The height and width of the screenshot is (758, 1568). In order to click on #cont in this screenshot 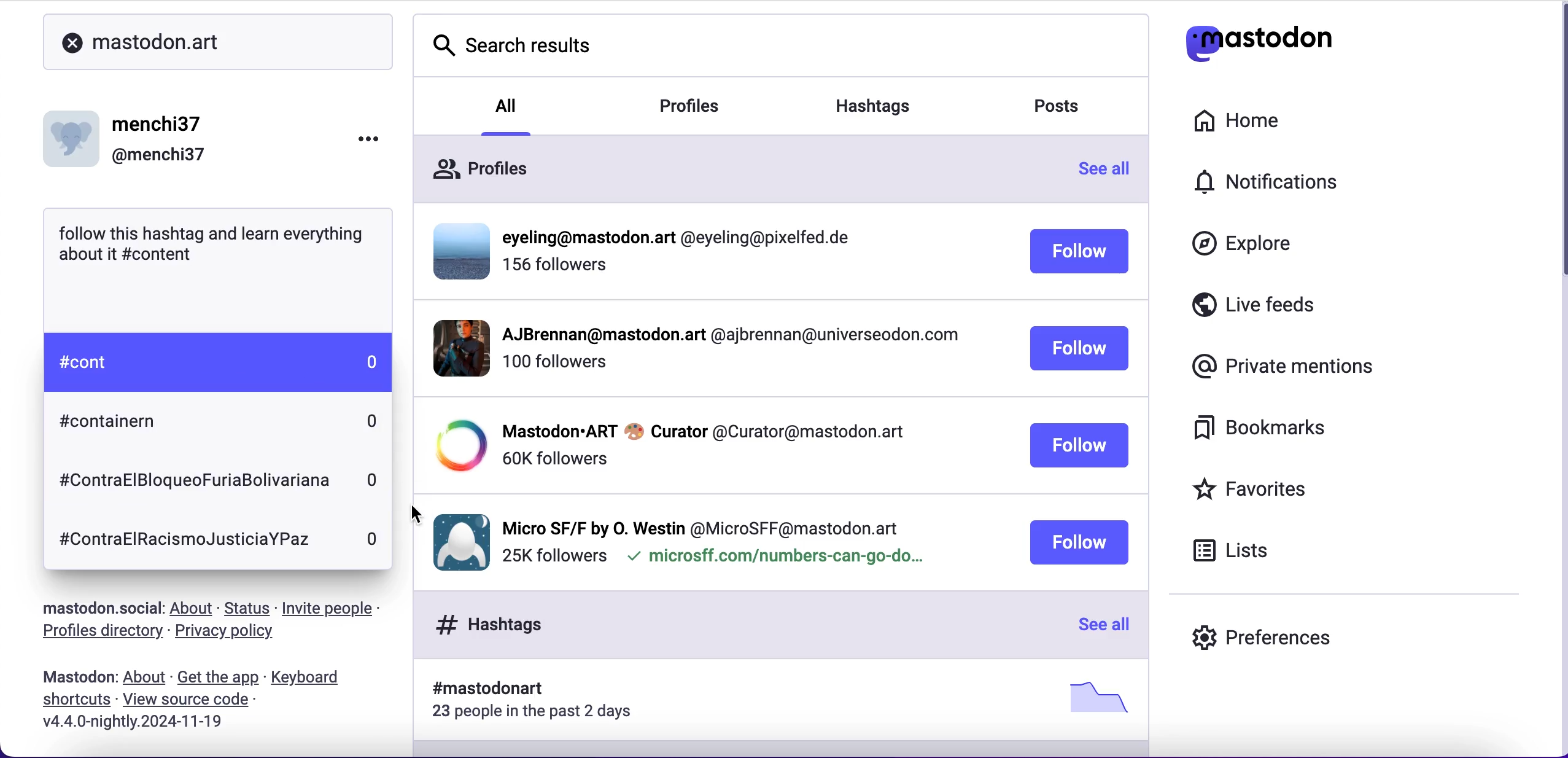, I will do `click(81, 367)`.